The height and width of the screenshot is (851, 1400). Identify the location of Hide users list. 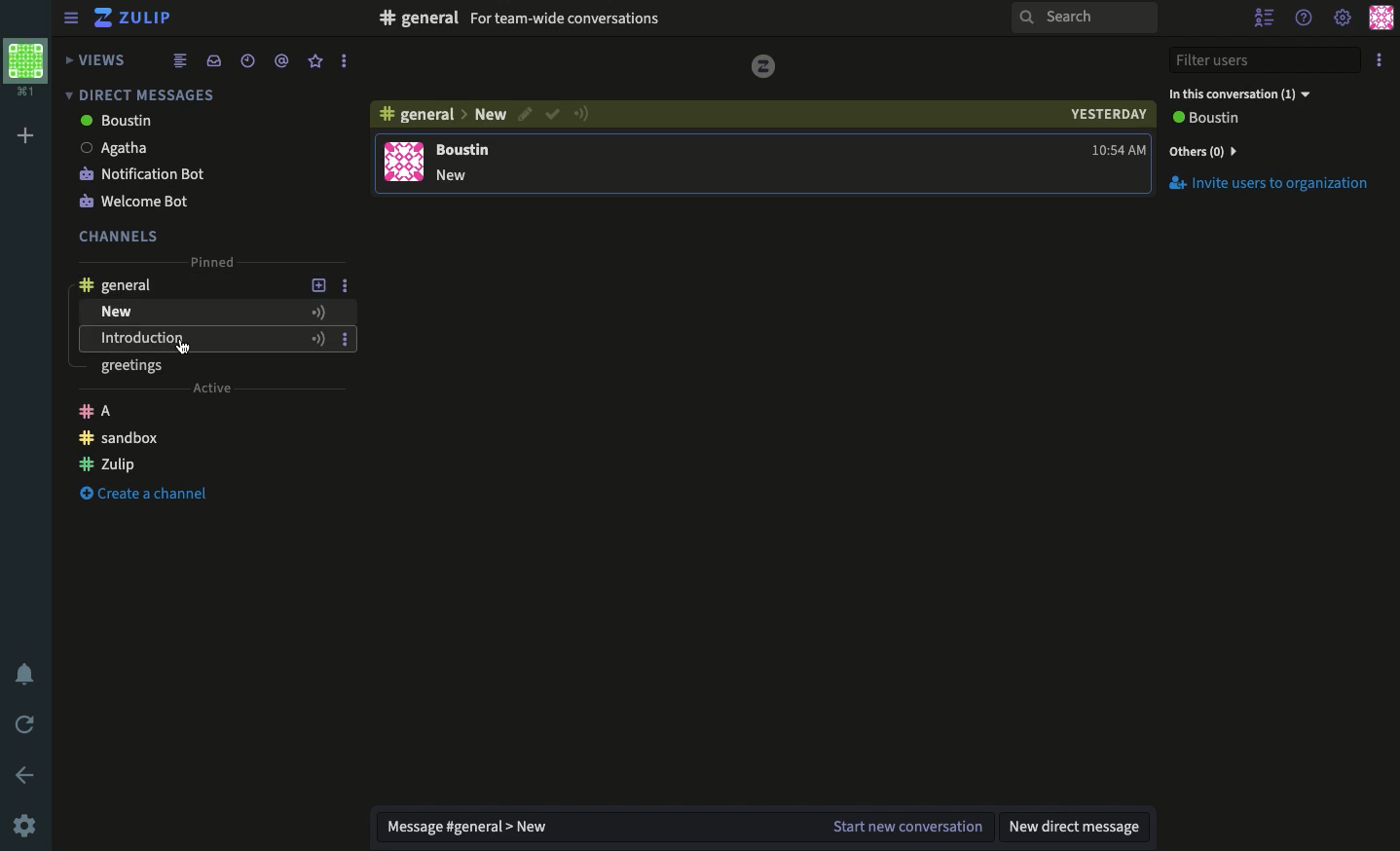
(1267, 19).